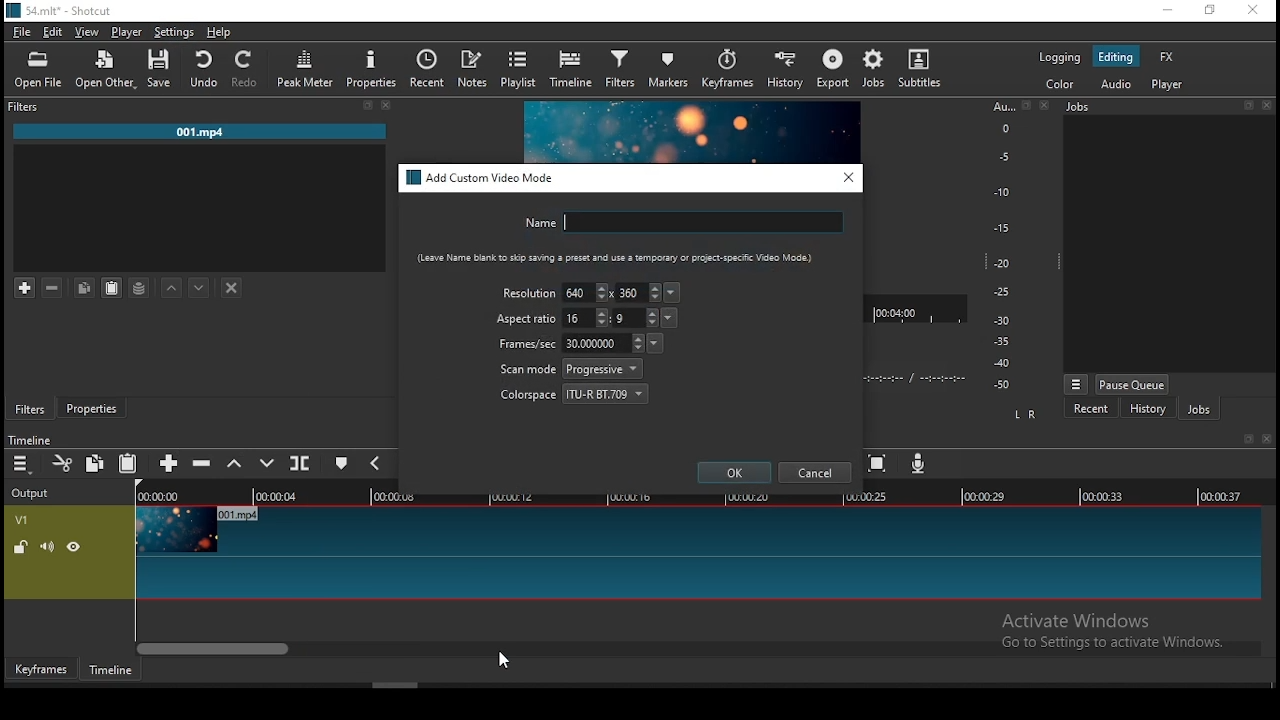 The height and width of the screenshot is (720, 1280). Describe the element at coordinates (129, 464) in the screenshot. I see `paste` at that location.